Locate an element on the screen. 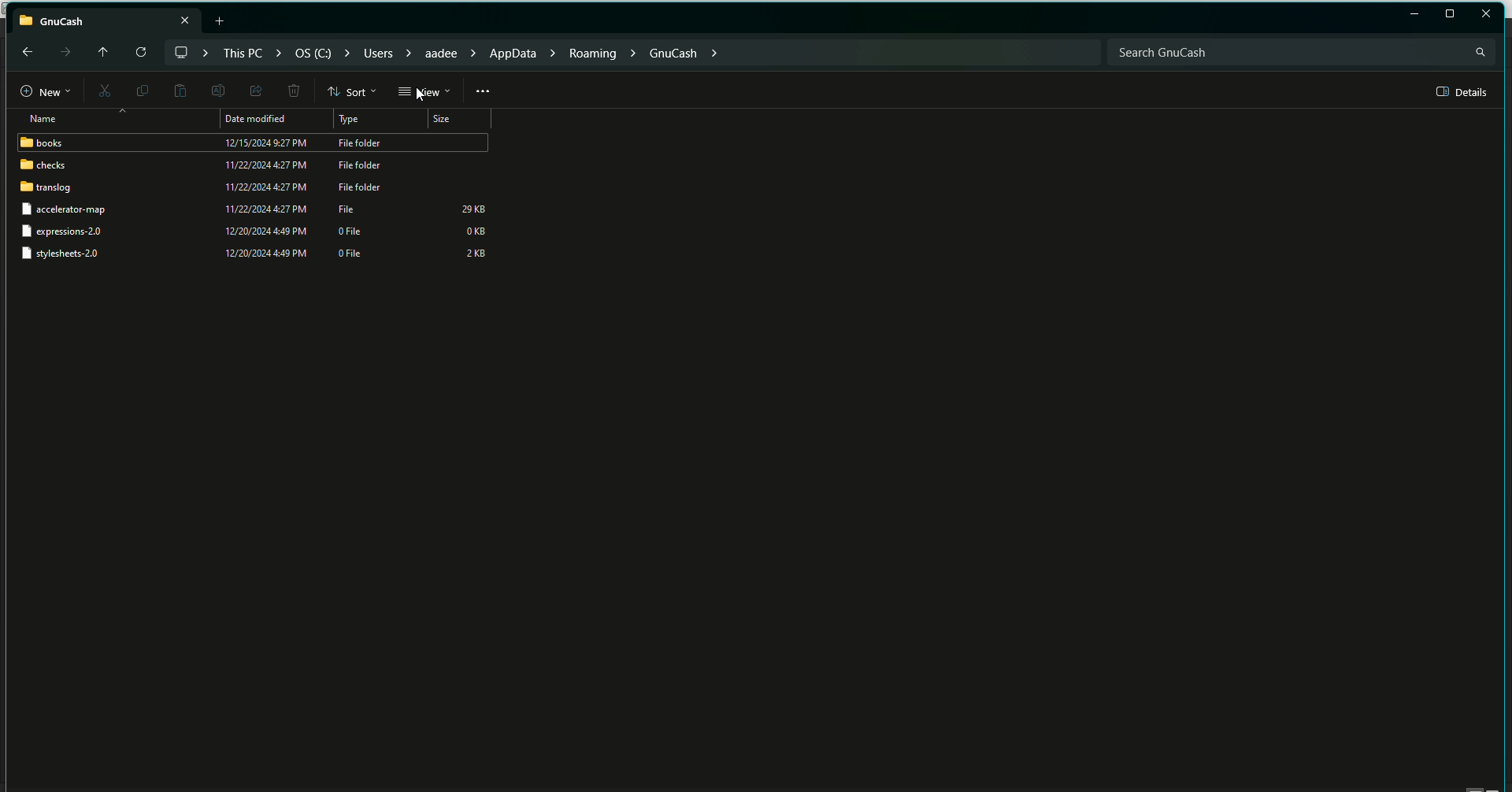 This screenshot has width=1512, height=792. Share is located at coordinates (254, 90).